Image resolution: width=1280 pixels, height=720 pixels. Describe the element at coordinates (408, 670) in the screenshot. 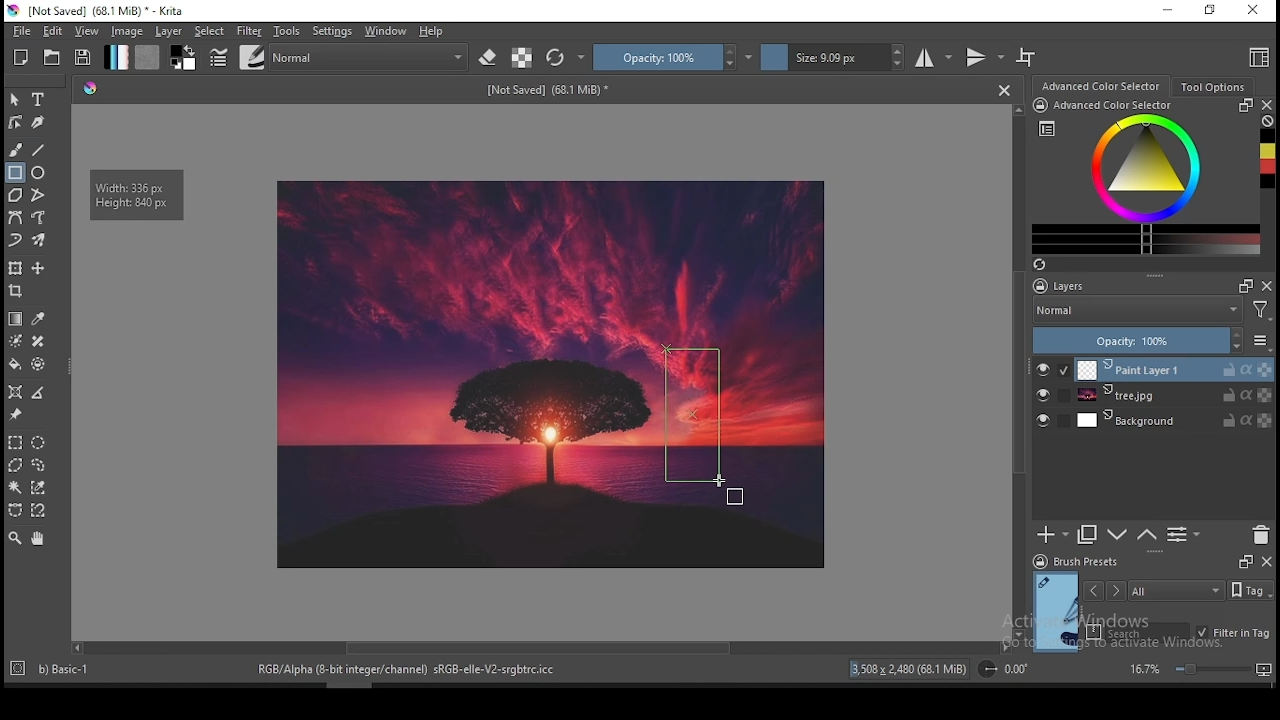

I see `'RGB/Alpha (8-bit integer/channel) sRGB-elle-V2-srgbtre.icc` at that location.